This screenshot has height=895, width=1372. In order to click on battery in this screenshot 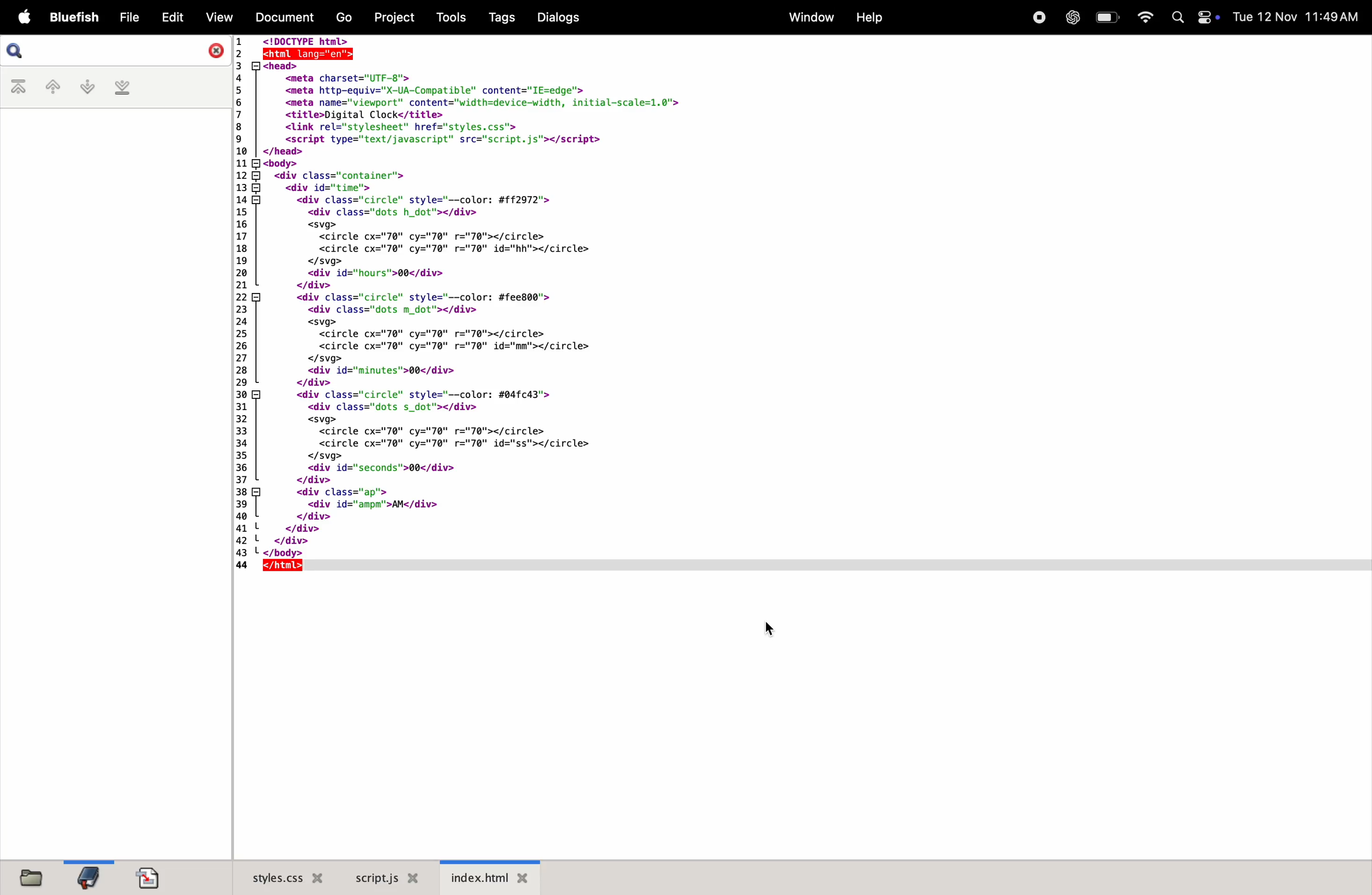, I will do `click(1106, 17)`.